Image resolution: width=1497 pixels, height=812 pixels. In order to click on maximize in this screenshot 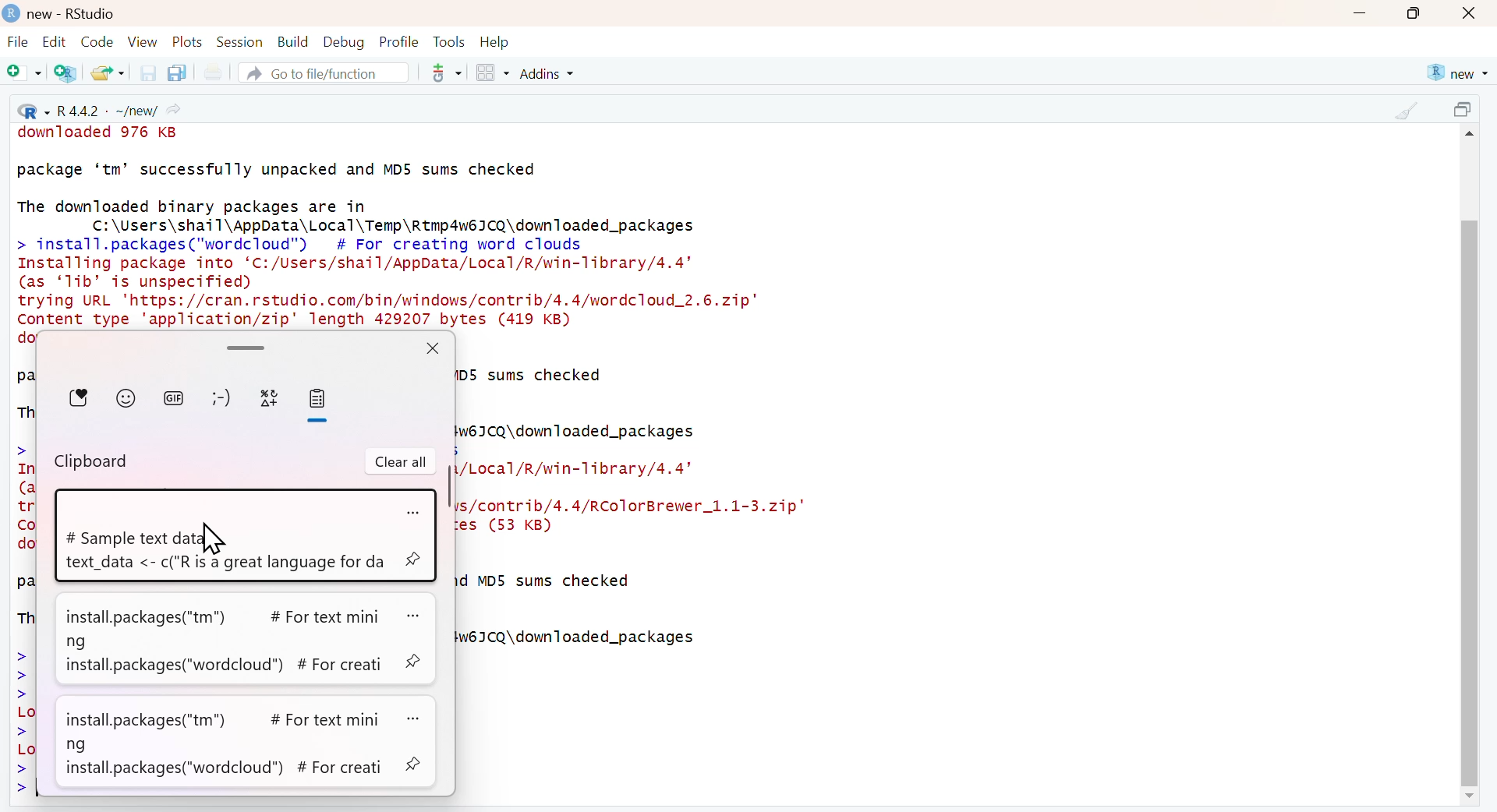, I will do `click(1467, 110)`.